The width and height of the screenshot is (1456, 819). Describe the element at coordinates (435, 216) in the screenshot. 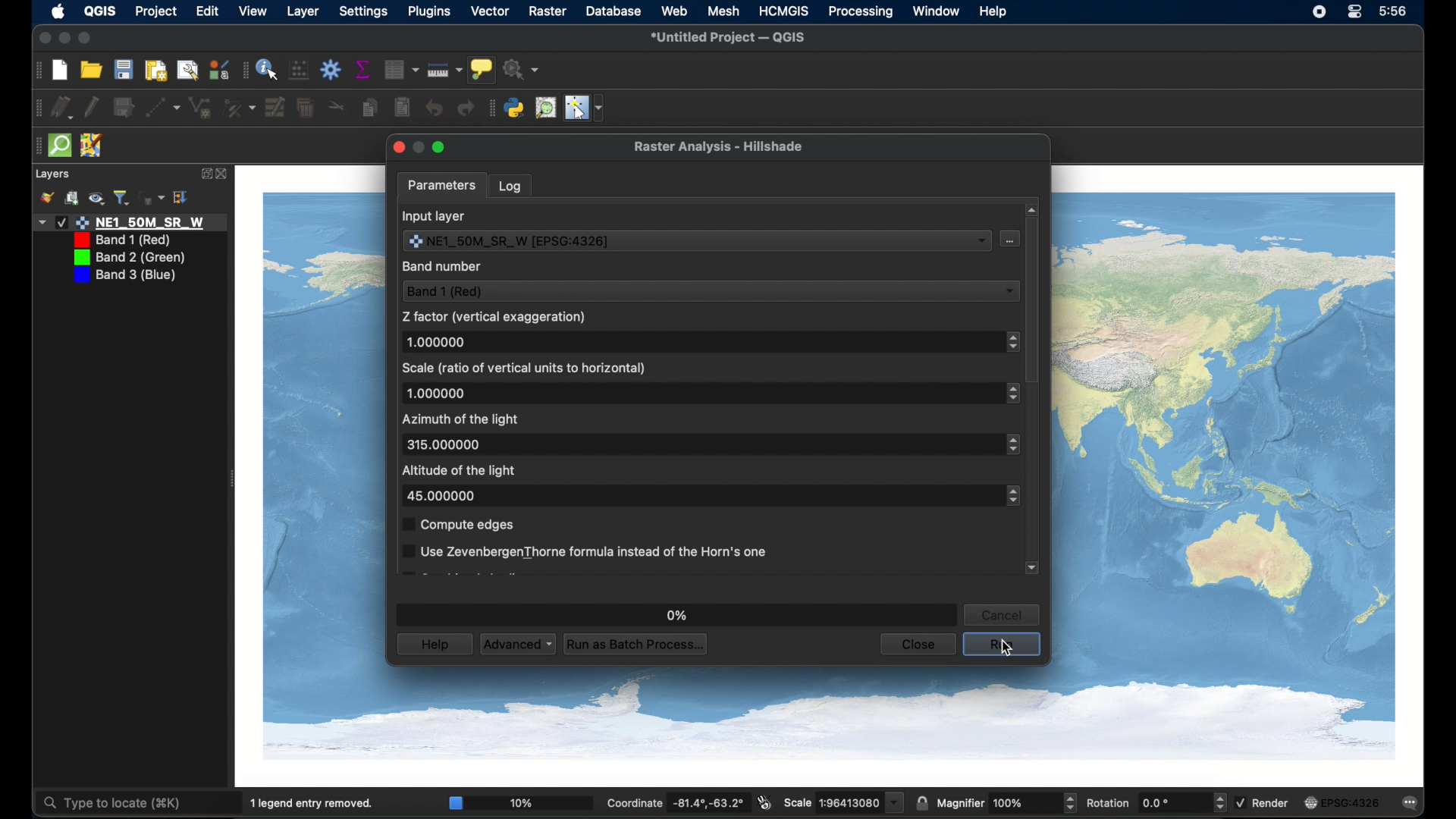

I see `input layer` at that location.